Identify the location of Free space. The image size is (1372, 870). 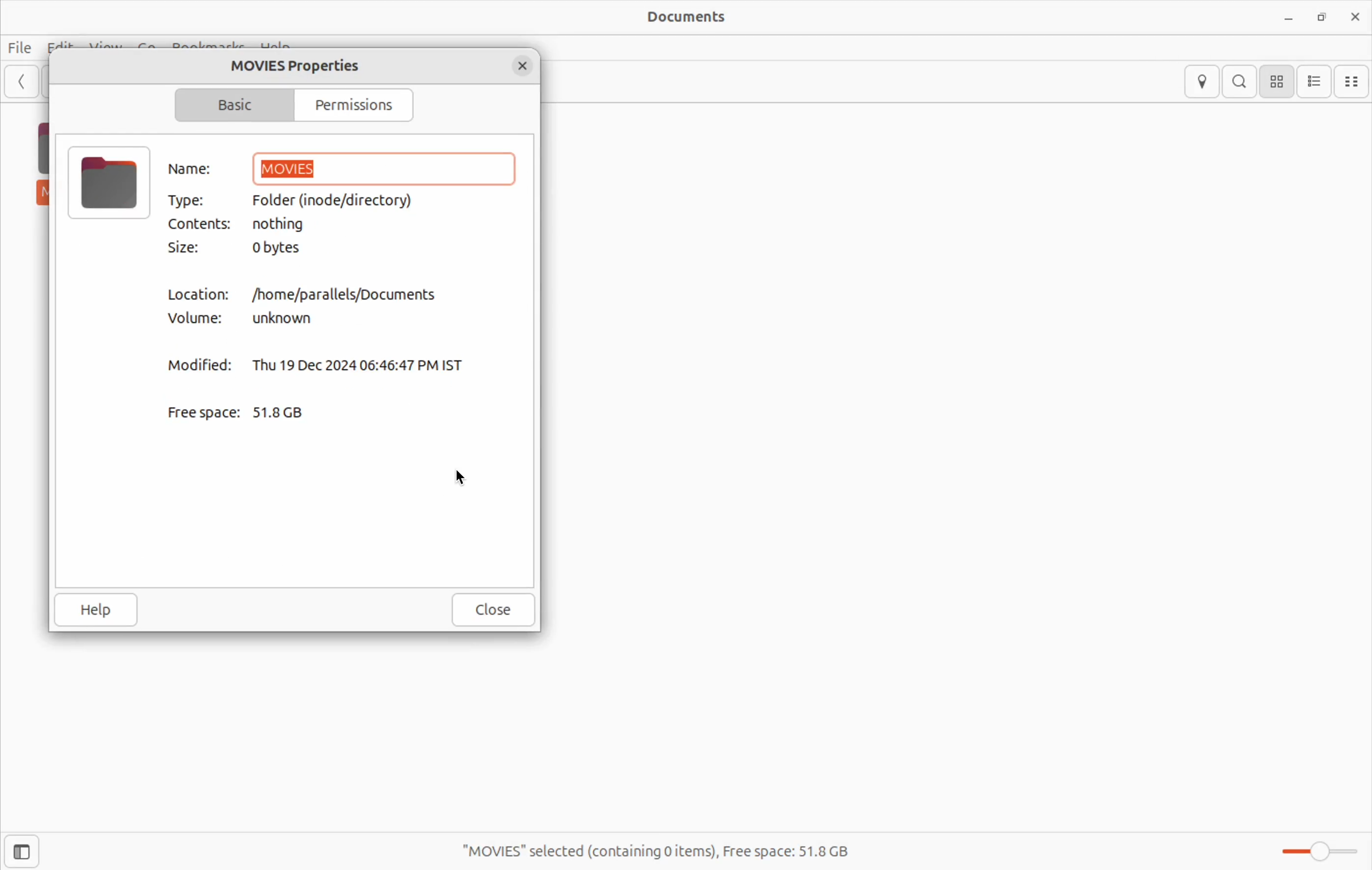
(203, 412).